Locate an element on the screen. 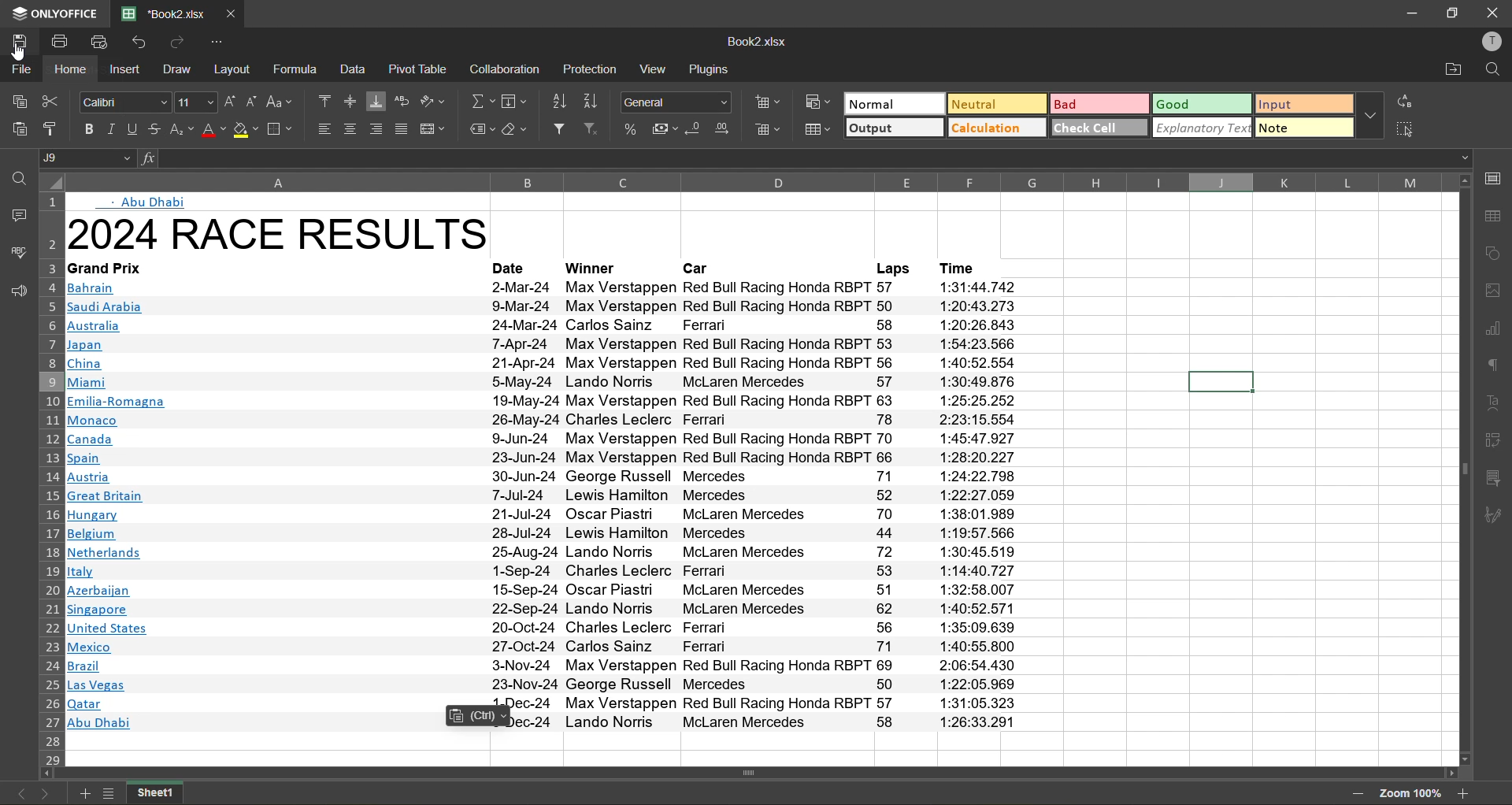  text info is located at coordinates (552, 684).